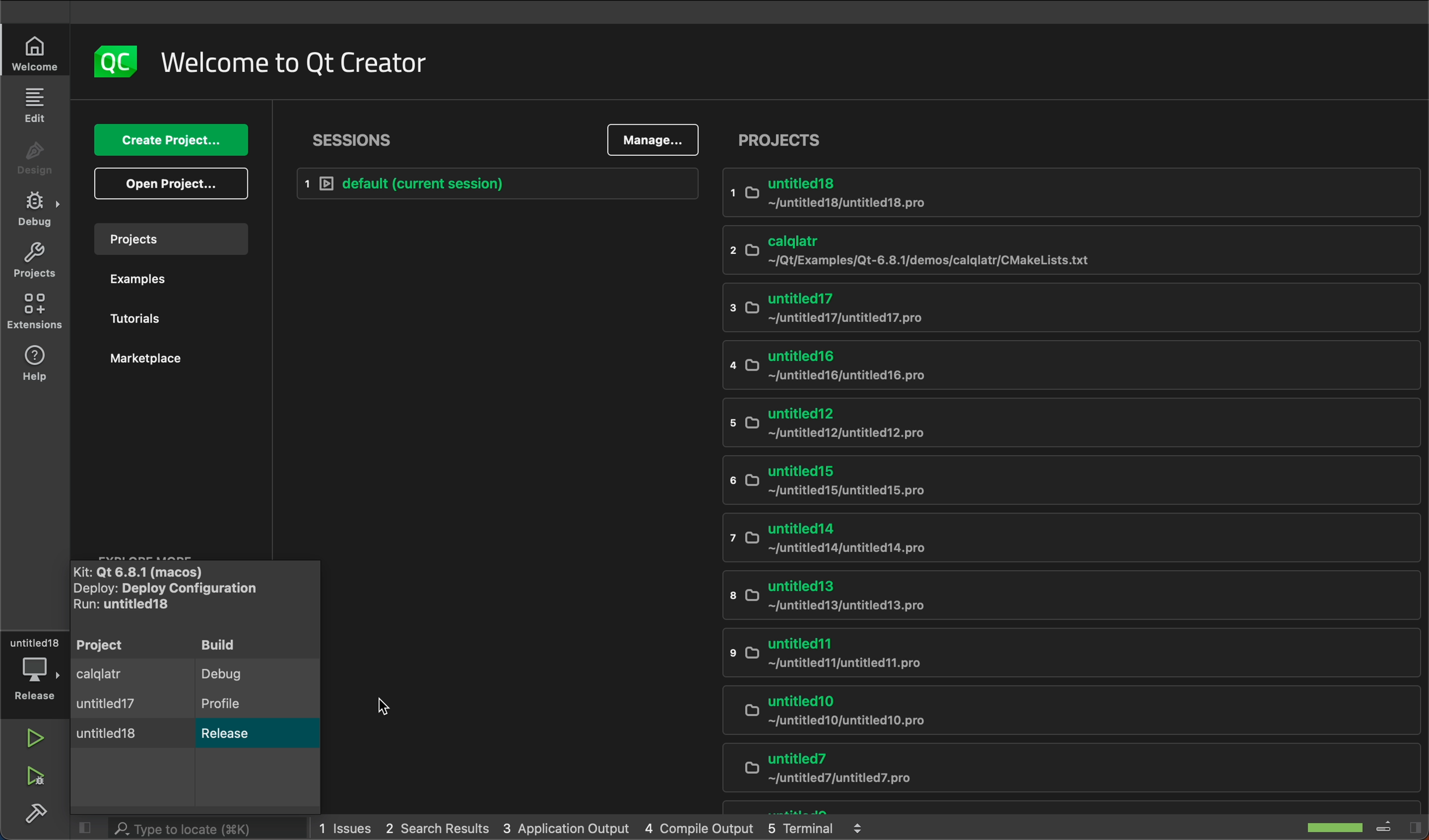  I want to click on calqlatr, so click(109, 674).